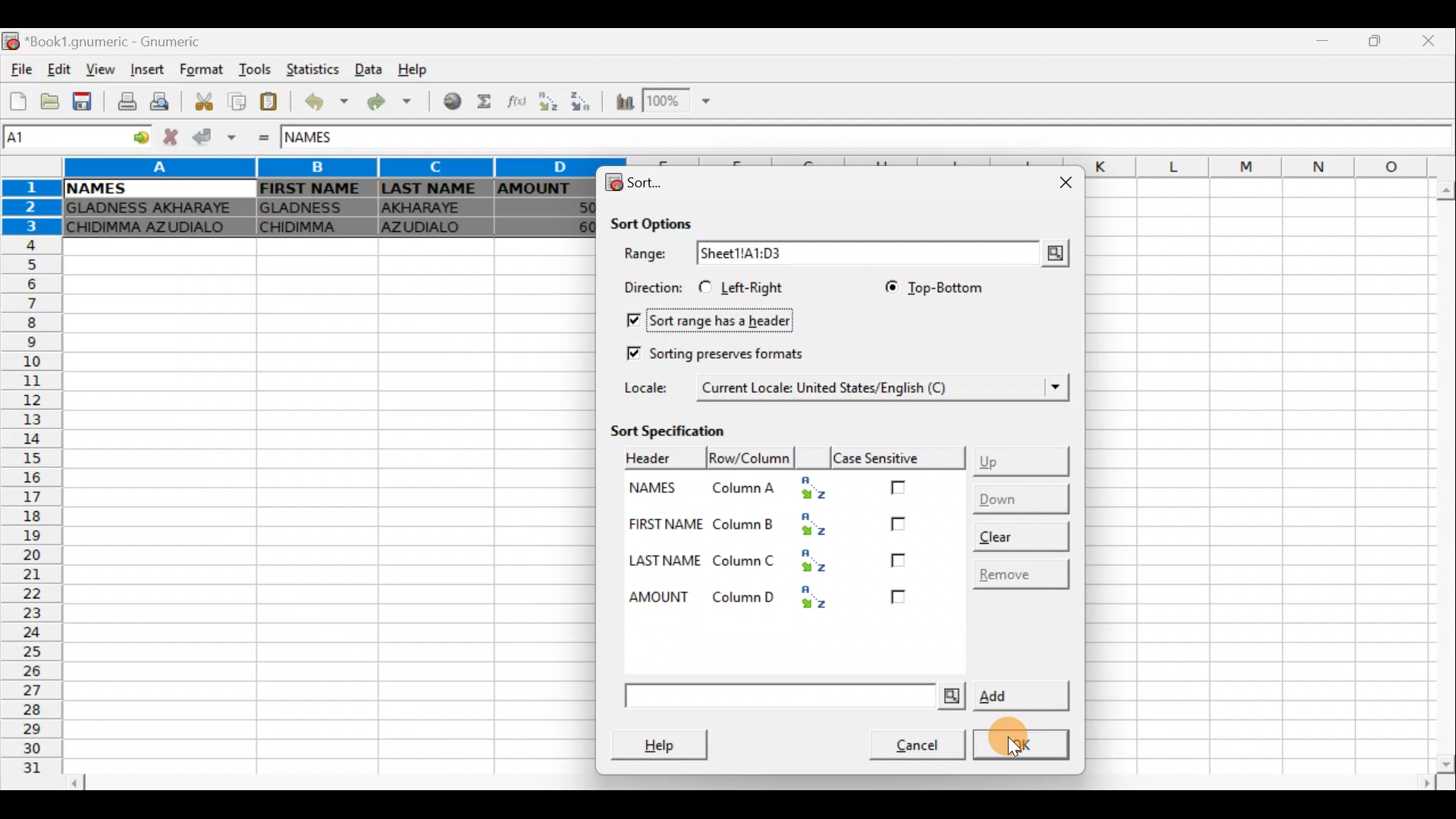  Describe the element at coordinates (719, 318) in the screenshot. I see `Sort range has a header` at that location.